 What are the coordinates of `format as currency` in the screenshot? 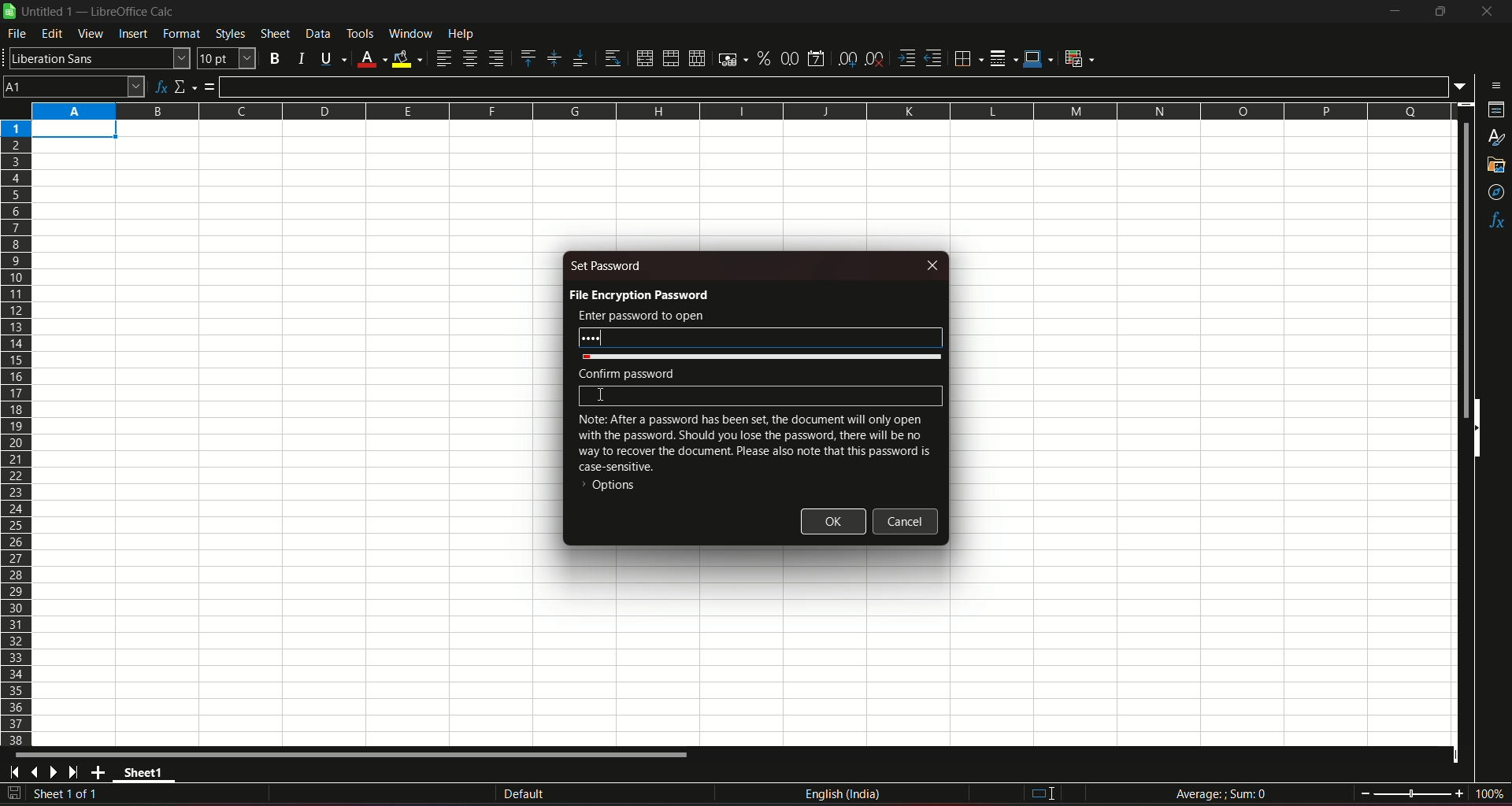 It's located at (729, 59).